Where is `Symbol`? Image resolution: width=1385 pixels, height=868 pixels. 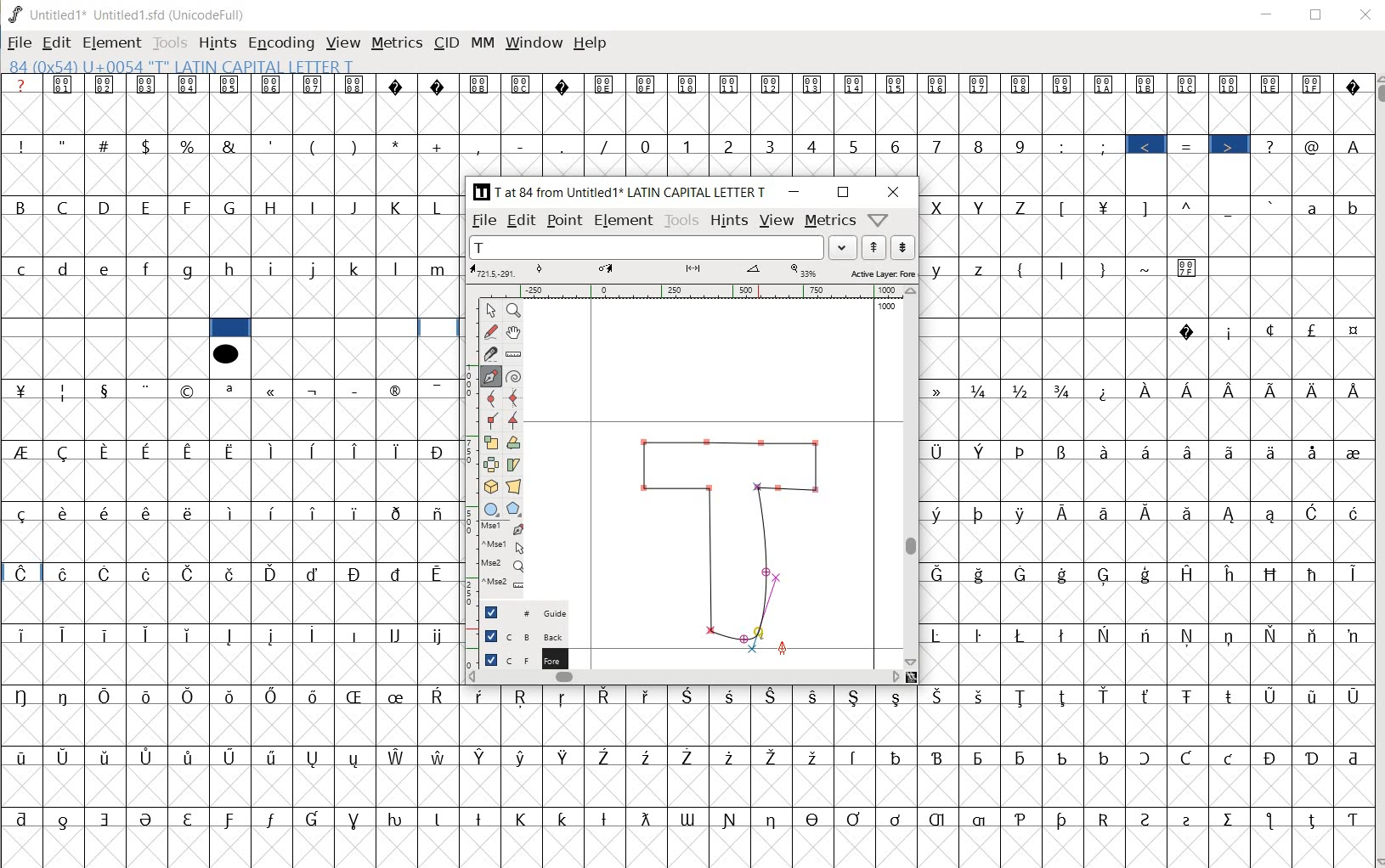
Symbol is located at coordinates (482, 85).